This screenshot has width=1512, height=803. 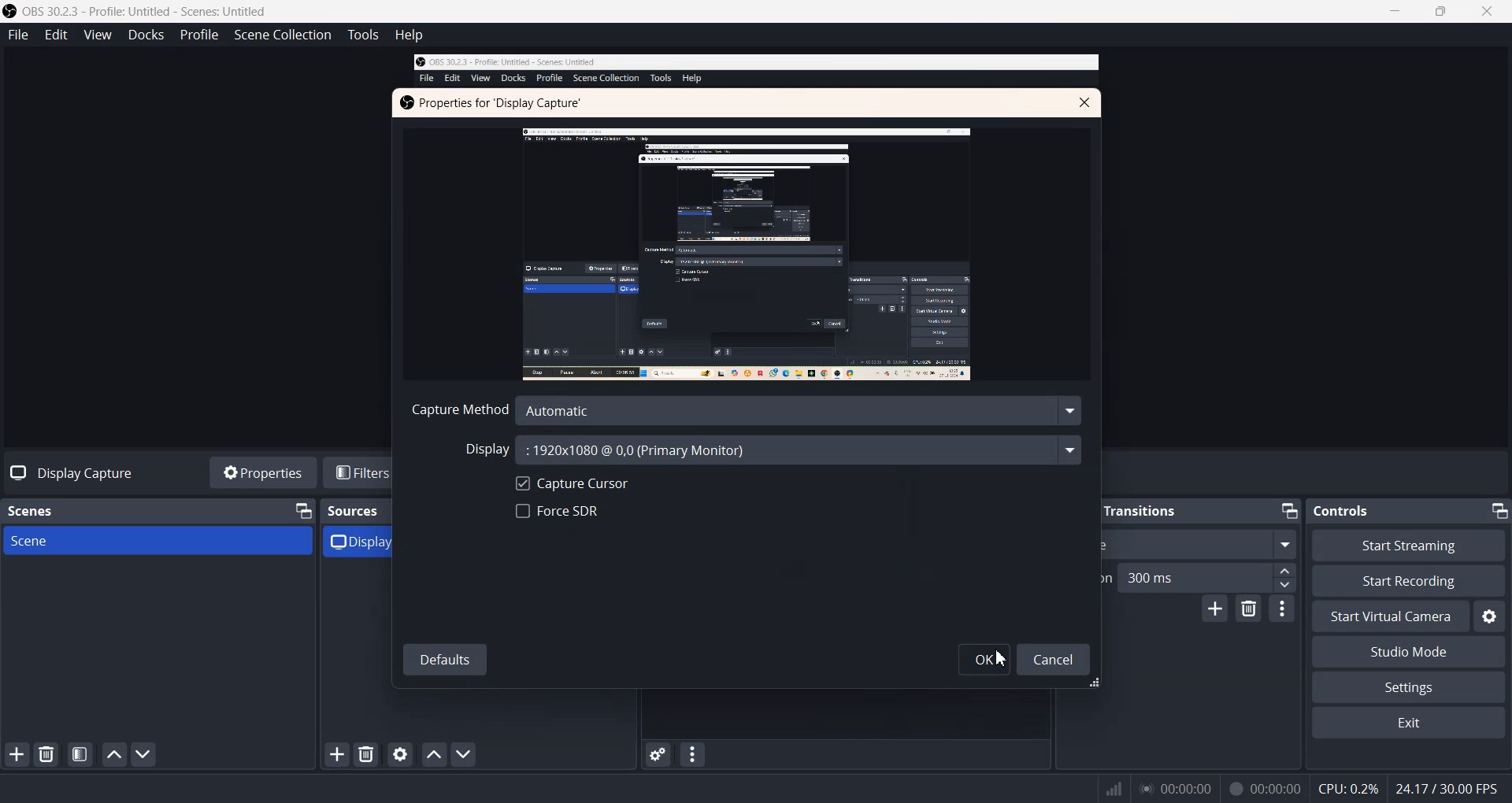 What do you see at coordinates (1265, 789) in the screenshot?
I see `& 00:00:00` at bounding box center [1265, 789].